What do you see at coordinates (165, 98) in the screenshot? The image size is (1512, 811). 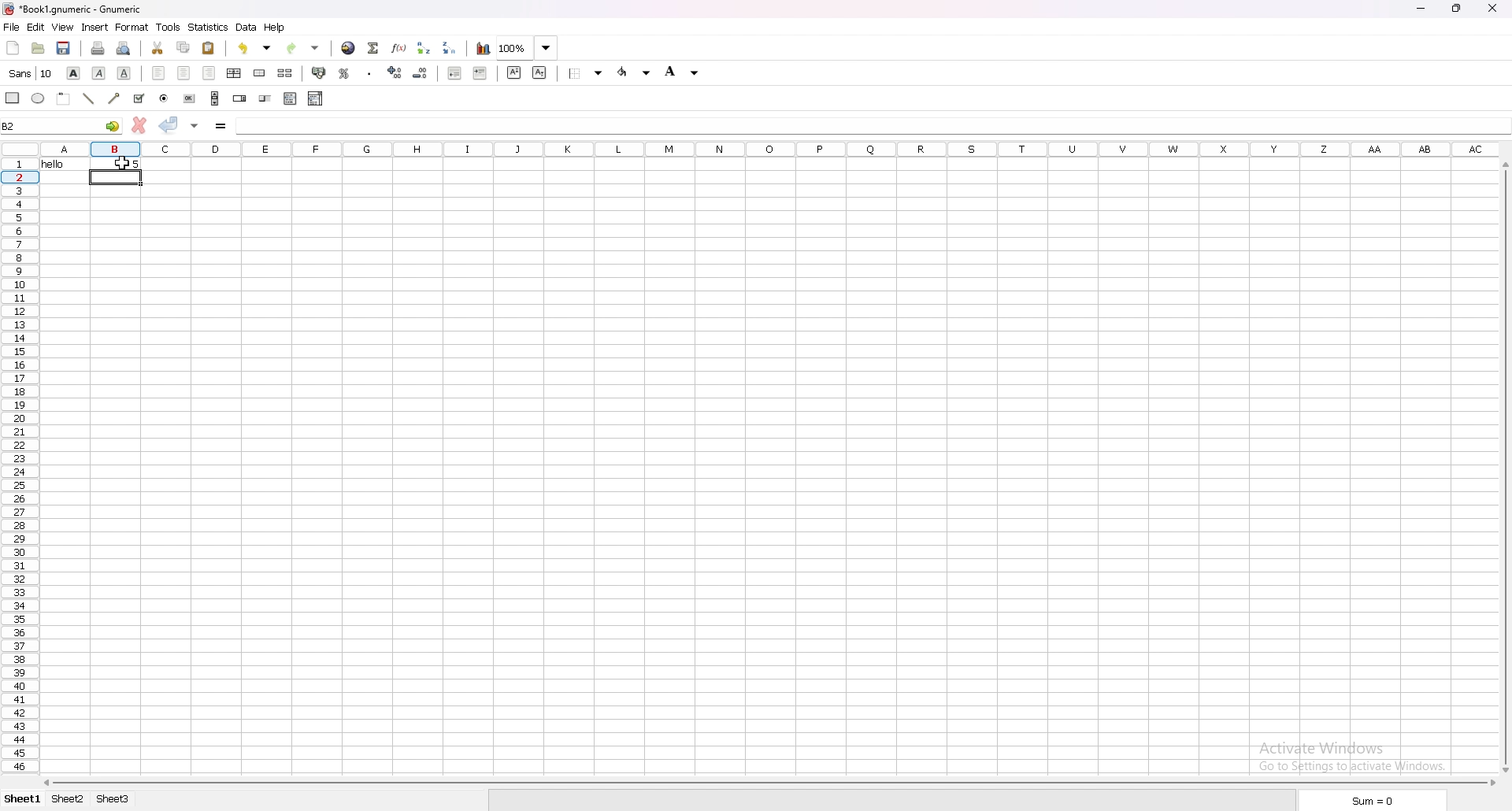 I see `create radio button` at bounding box center [165, 98].